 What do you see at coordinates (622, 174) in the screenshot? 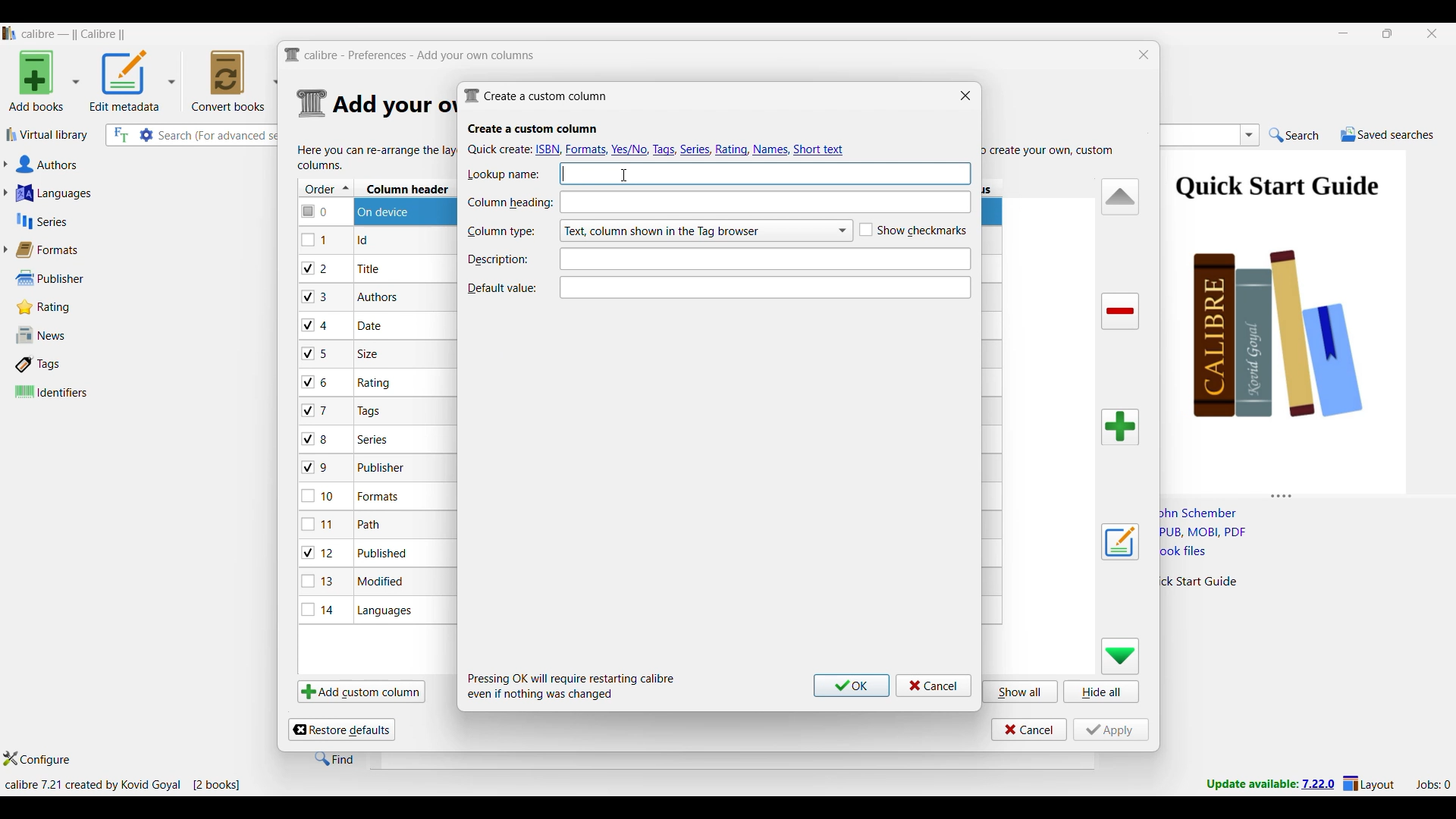
I see `cursor` at bounding box center [622, 174].